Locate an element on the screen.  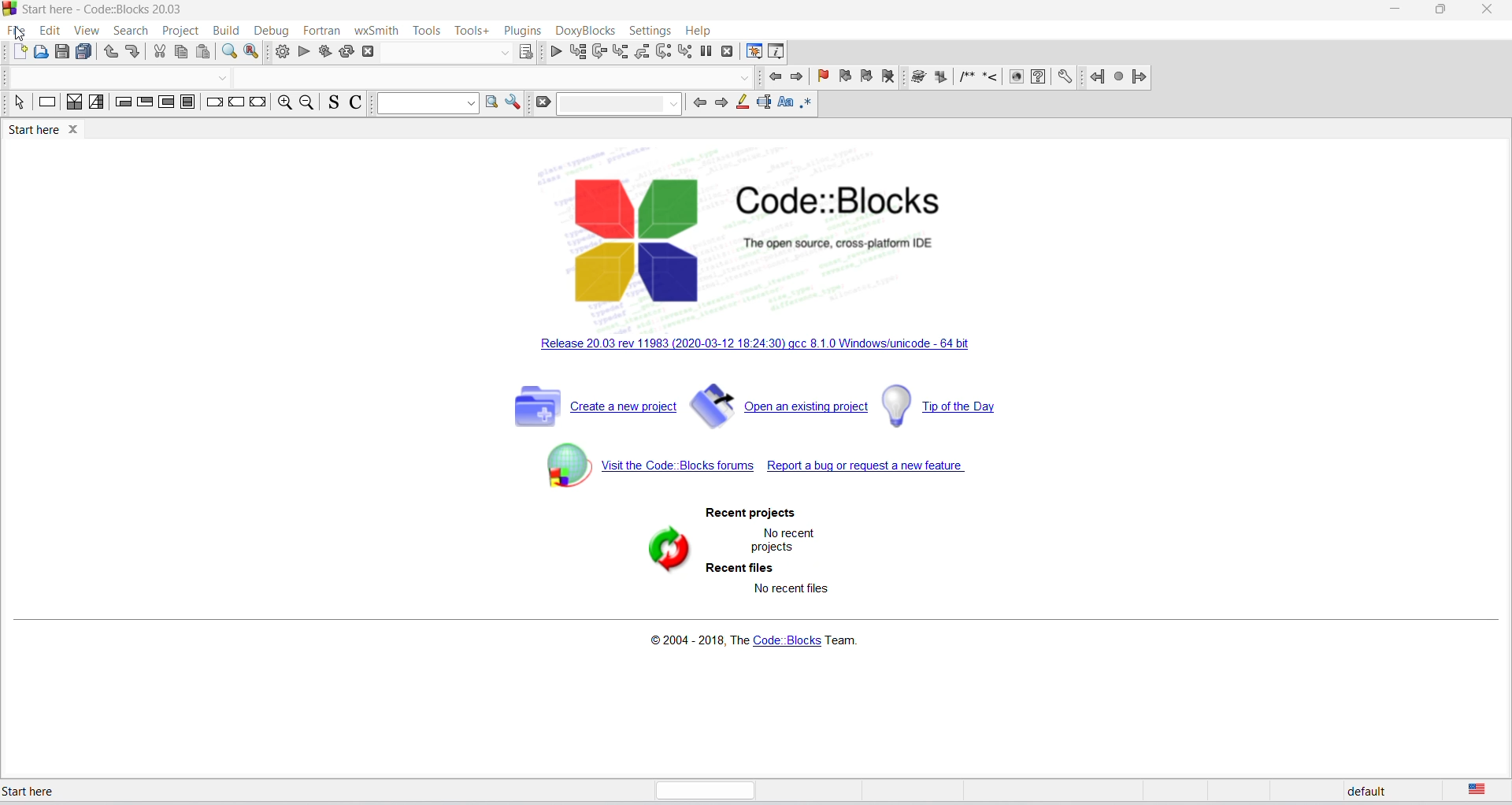
file is located at coordinates (17, 31).